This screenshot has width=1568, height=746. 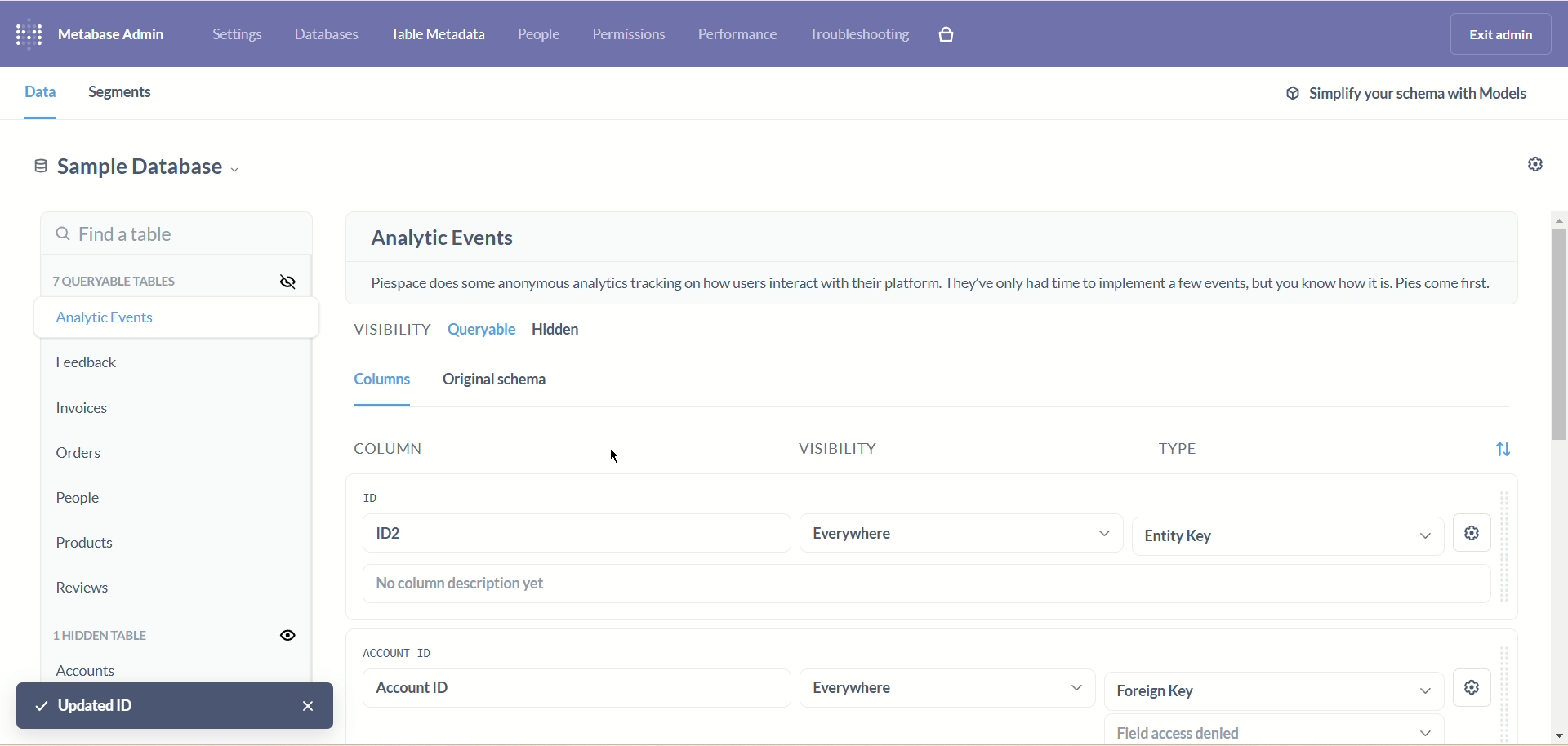 What do you see at coordinates (1479, 532) in the screenshot?
I see `Settings` at bounding box center [1479, 532].